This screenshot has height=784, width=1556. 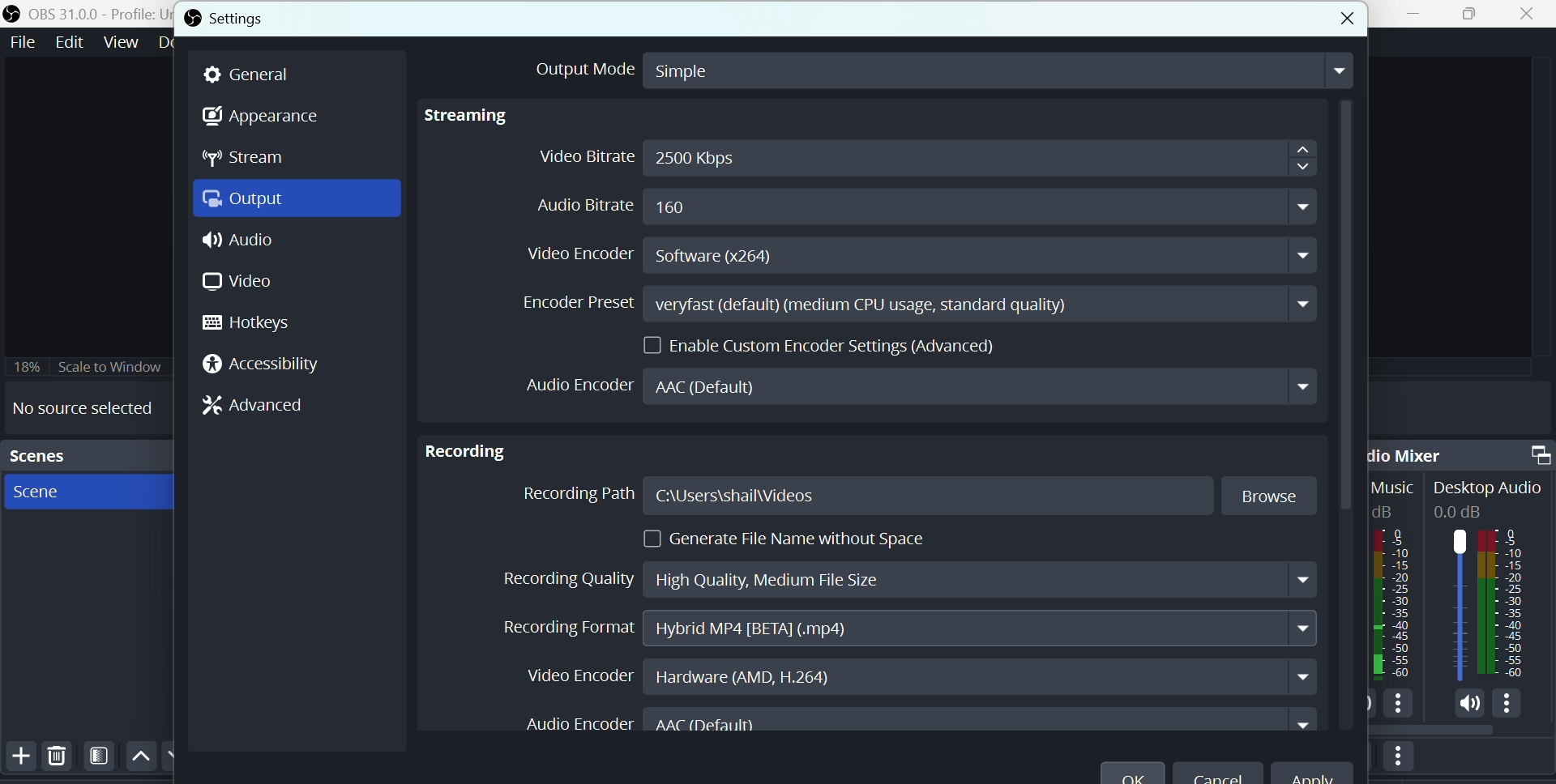 What do you see at coordinates (241, 239) in the screenshot?
I see `Audio` at bounding box center [241, 239].